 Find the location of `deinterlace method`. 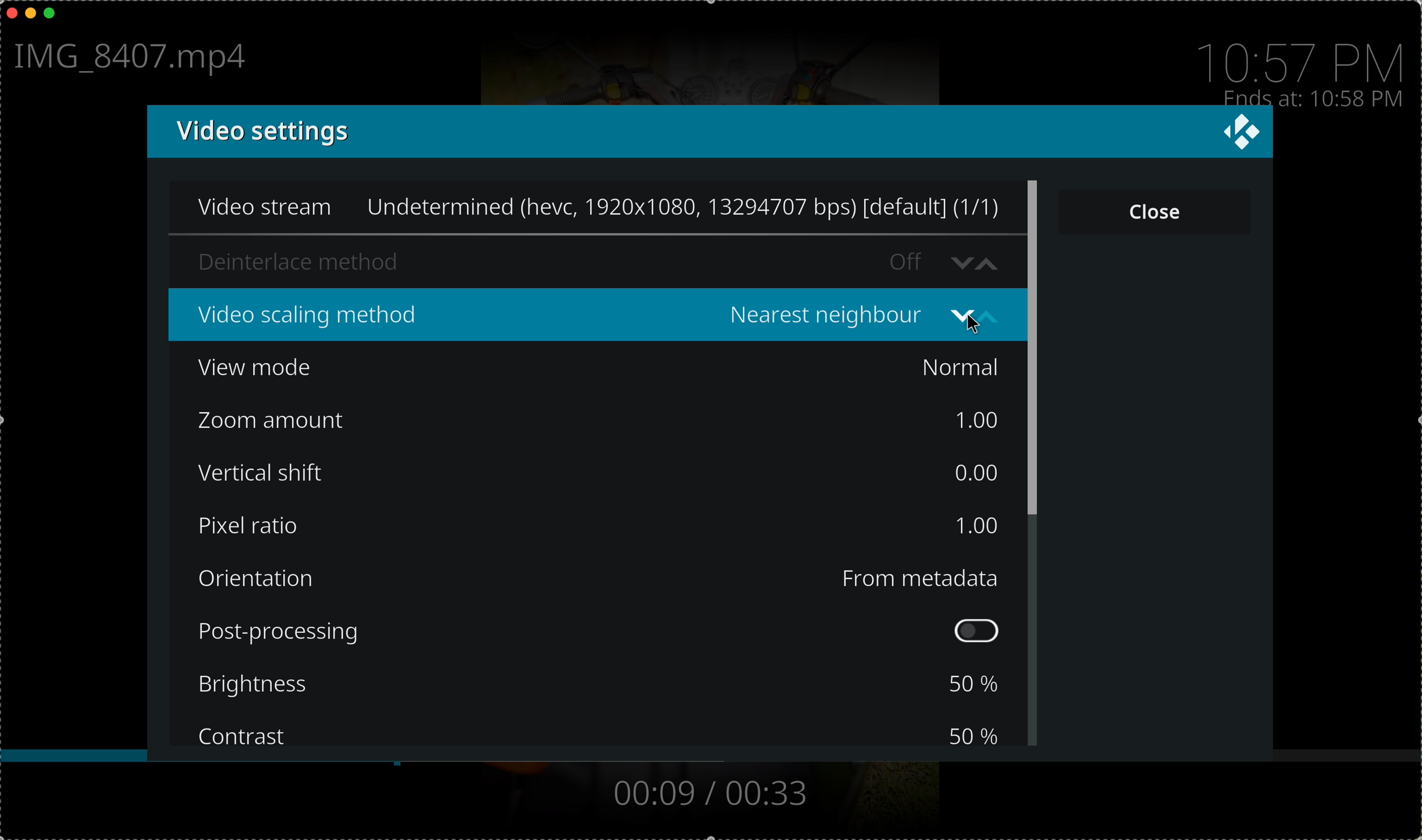

deinterlace method is located at coordinates (551, 260).